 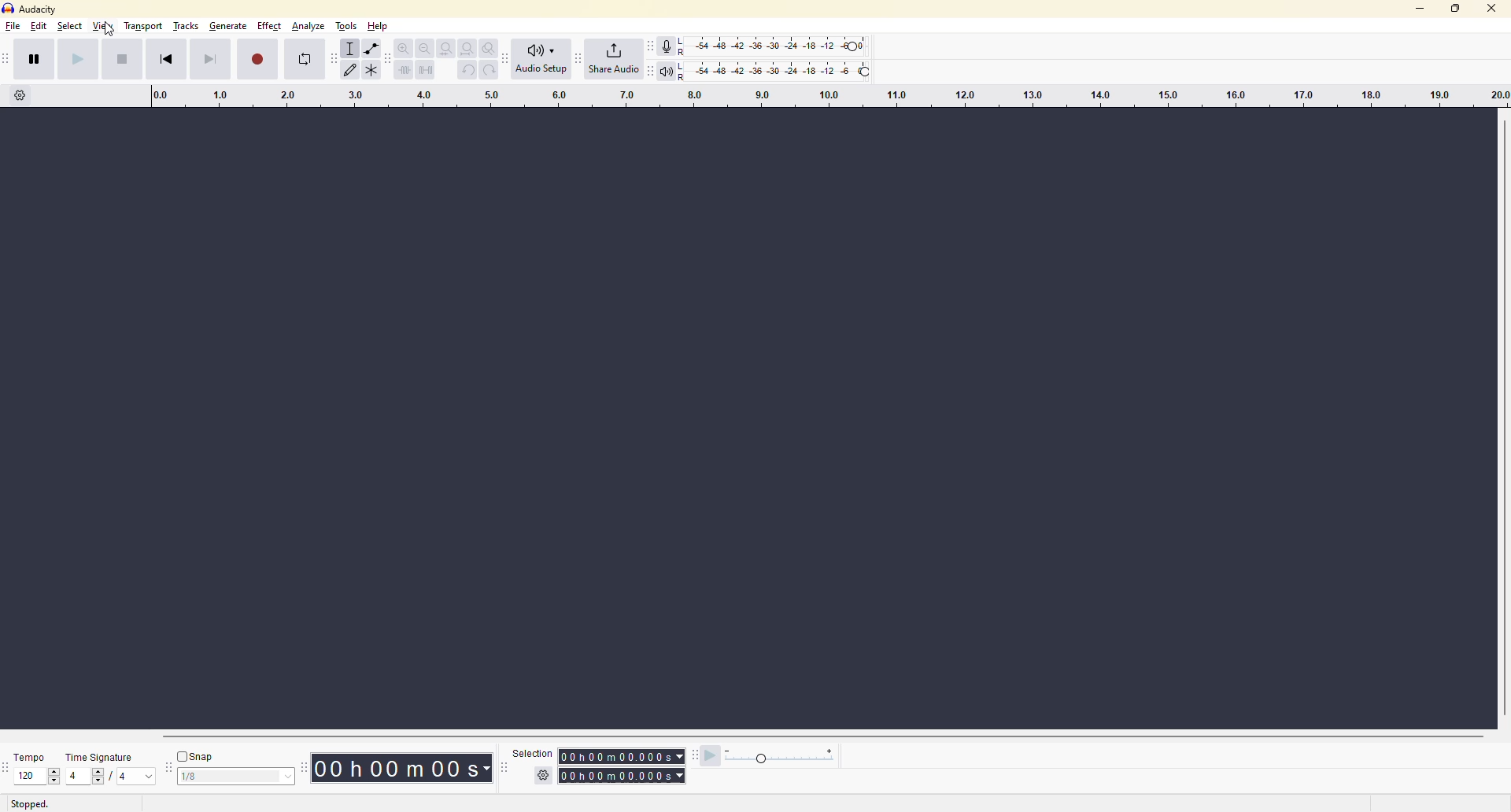 I want to click on generate, so click(x=227, y=27).